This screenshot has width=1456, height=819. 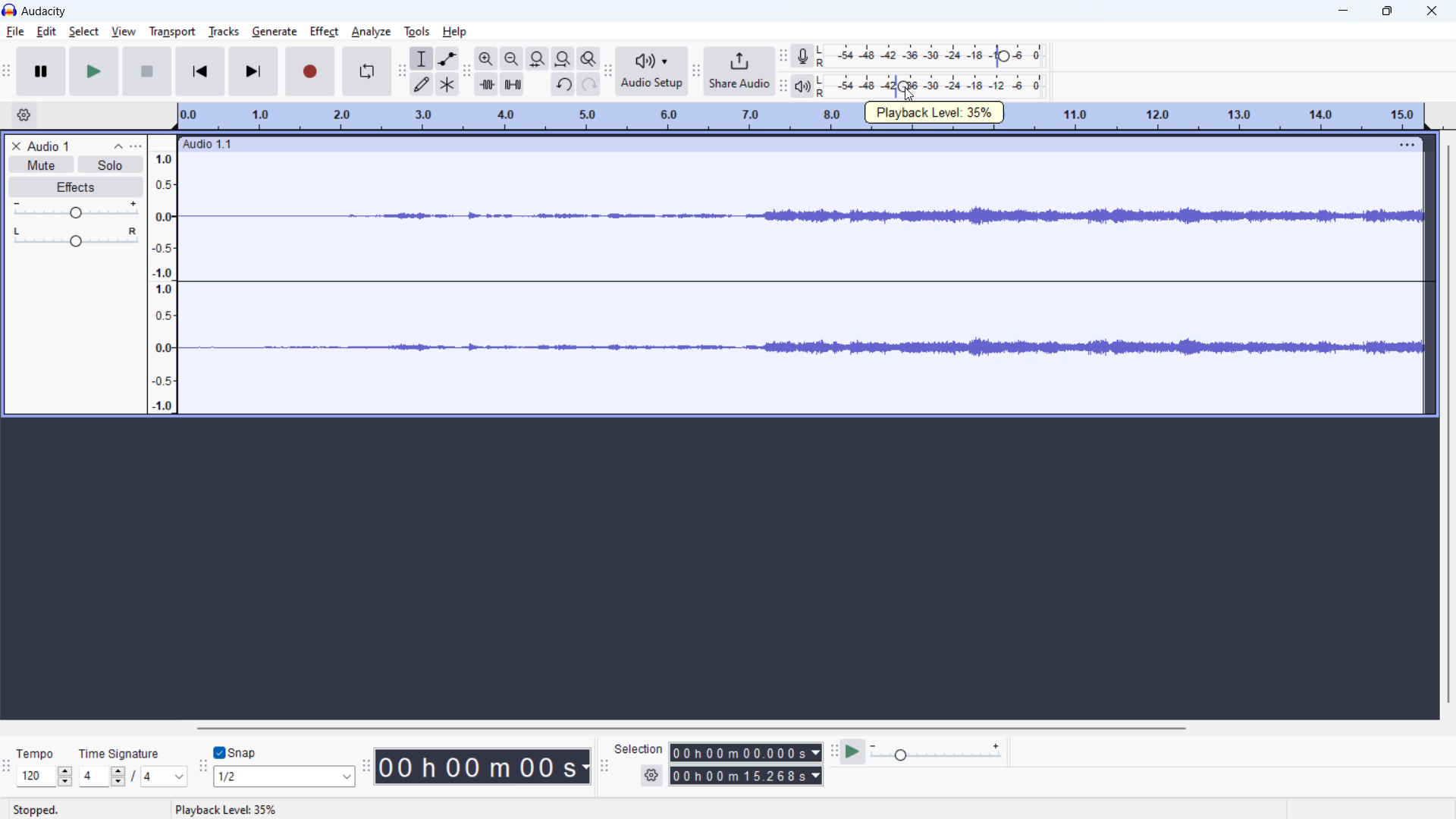 I want to click on fit project to width, so click(x=562, y=58).